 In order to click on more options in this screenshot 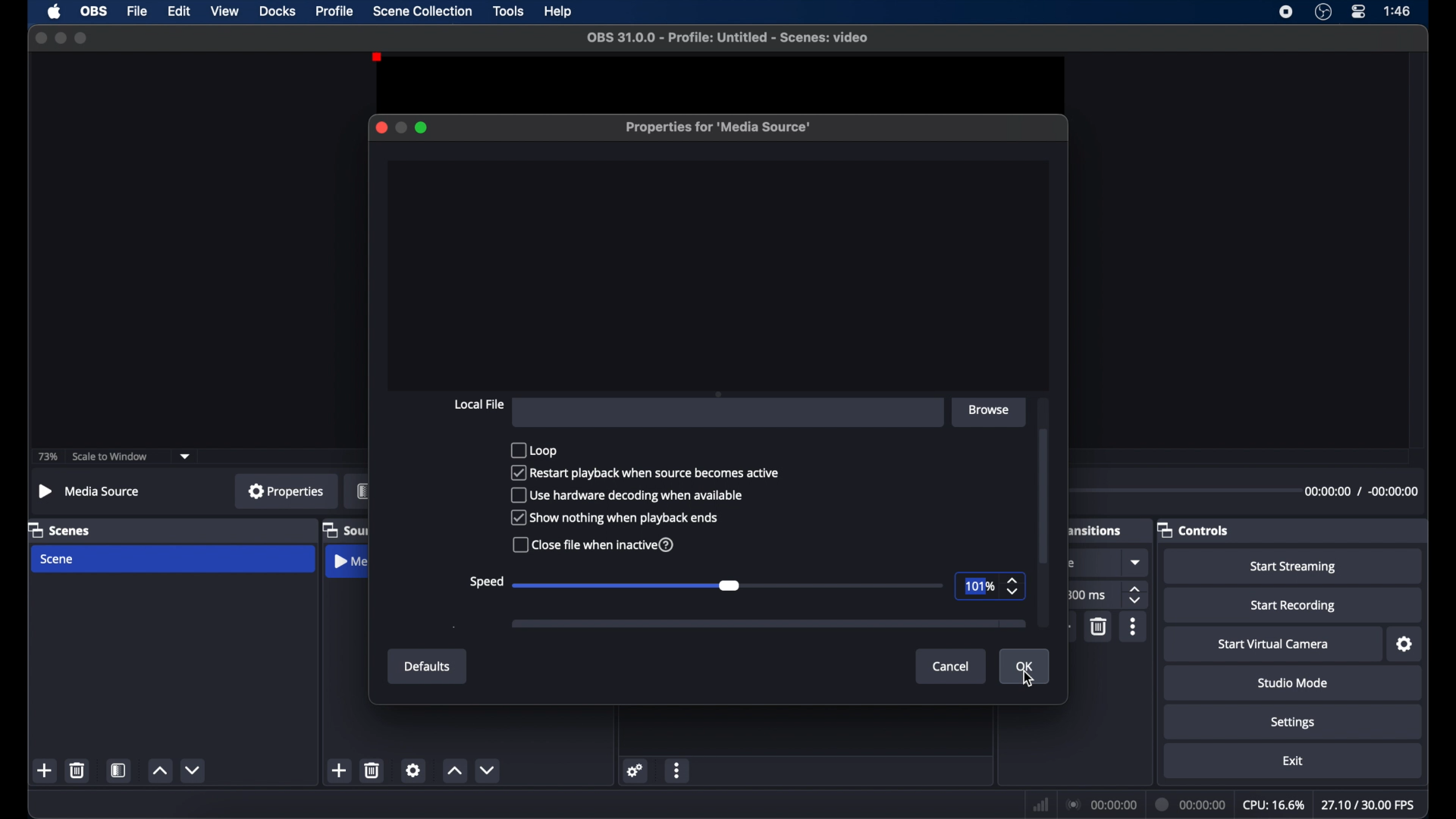, I will do `click(677, 772)`.